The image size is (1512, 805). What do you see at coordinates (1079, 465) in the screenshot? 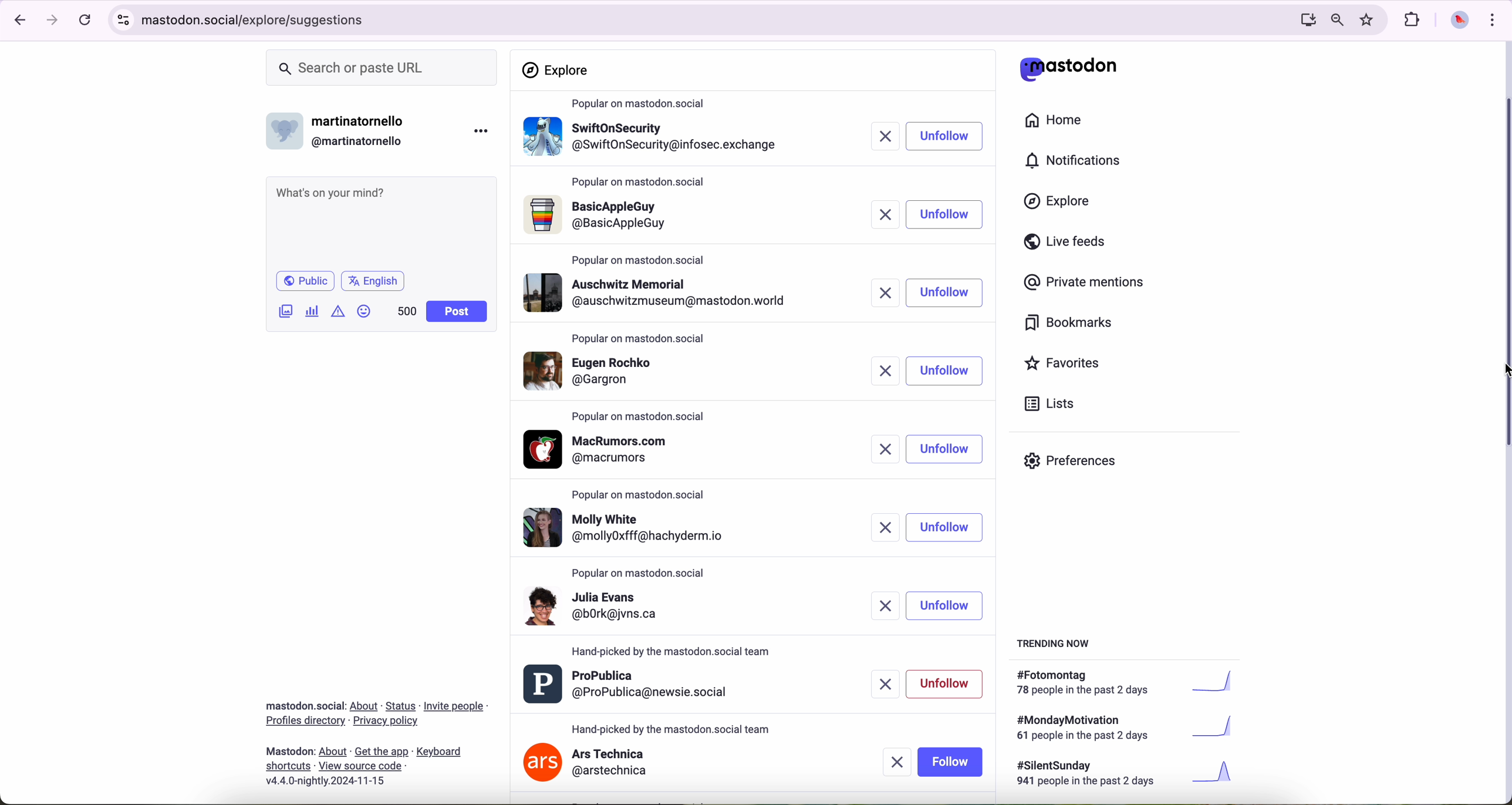
I see `preferences` at bounding box center [1079, 465].